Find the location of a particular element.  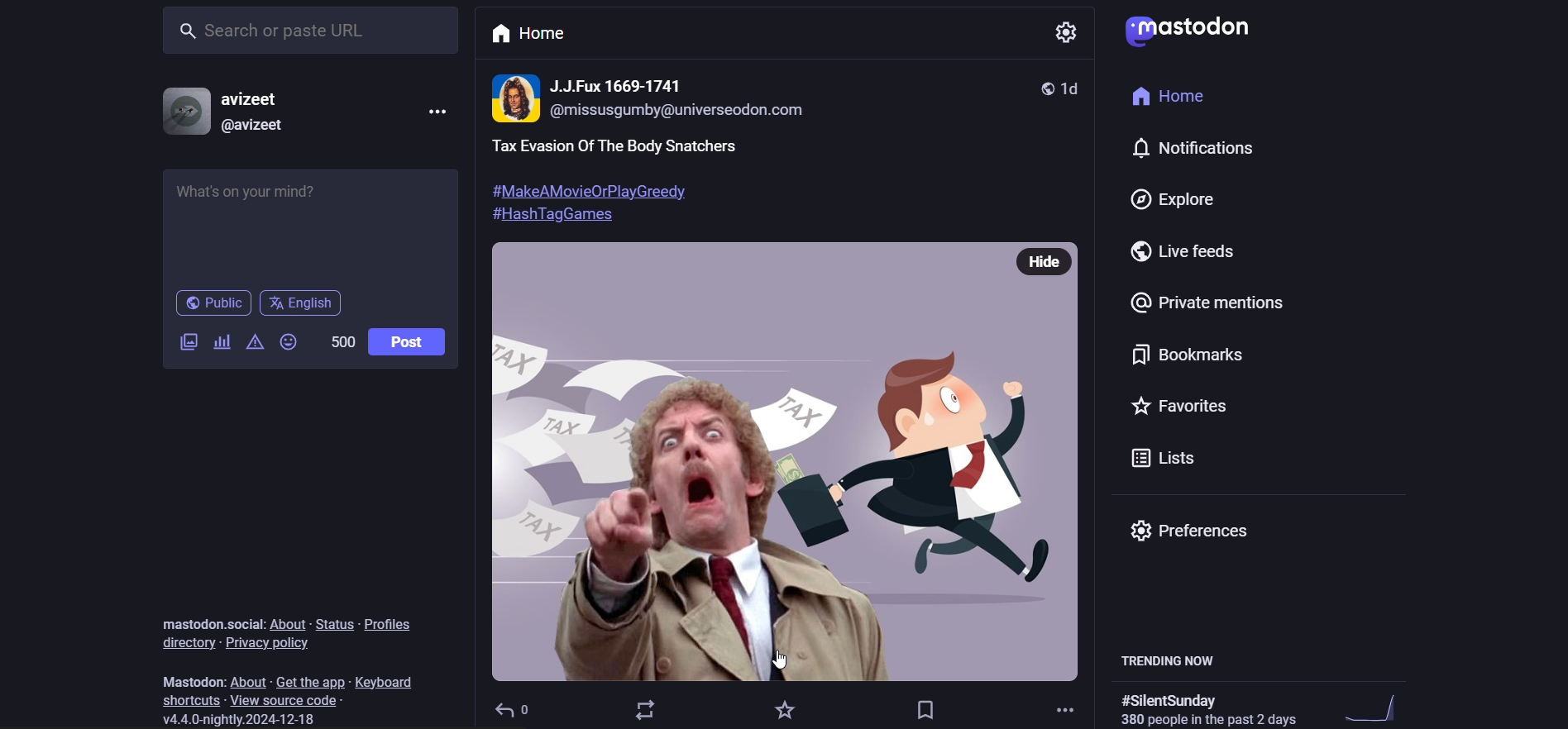

status is located at coordinates (334, 622).